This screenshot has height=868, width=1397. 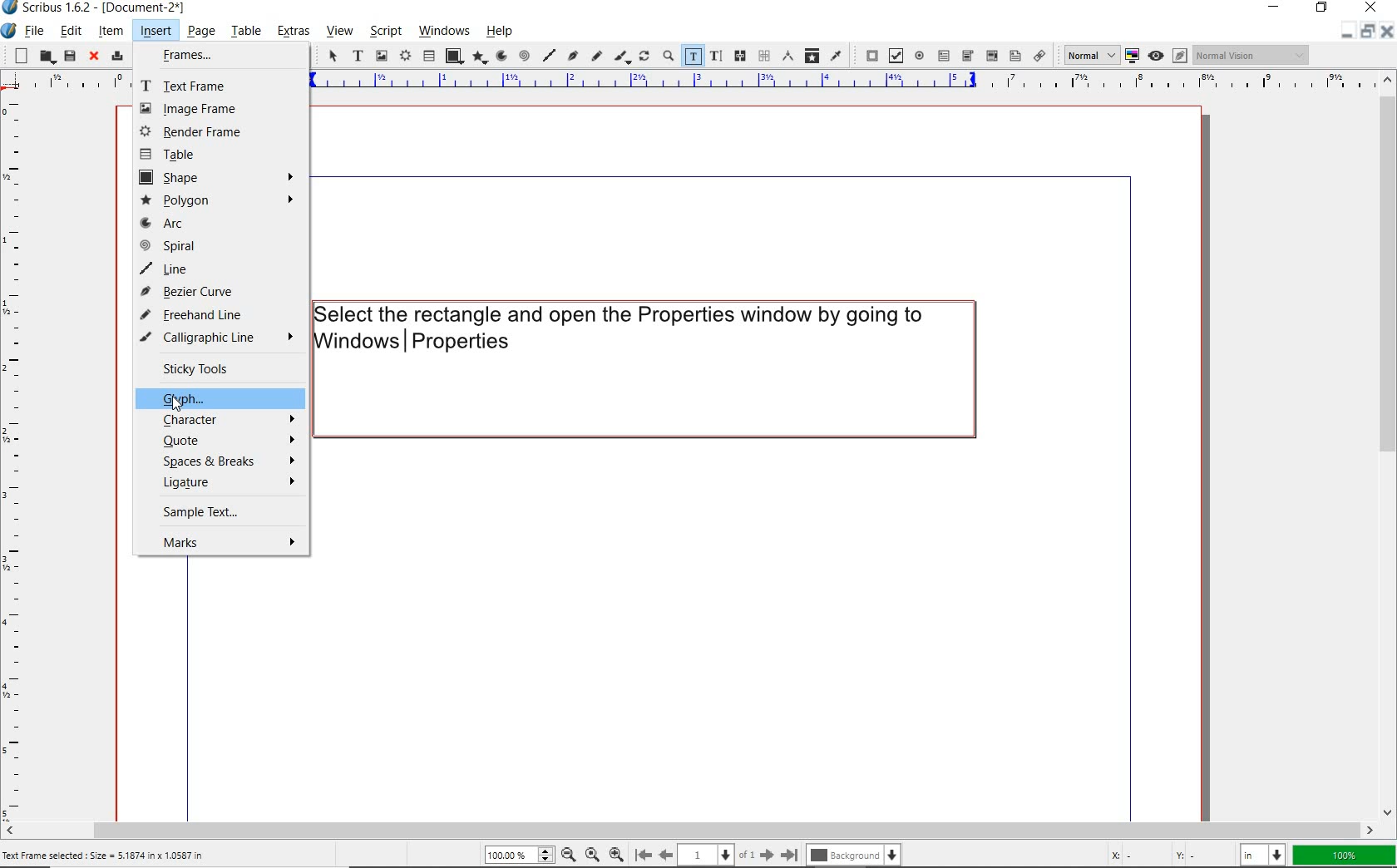 I want to click on render frame, so click(x=404, y=57).